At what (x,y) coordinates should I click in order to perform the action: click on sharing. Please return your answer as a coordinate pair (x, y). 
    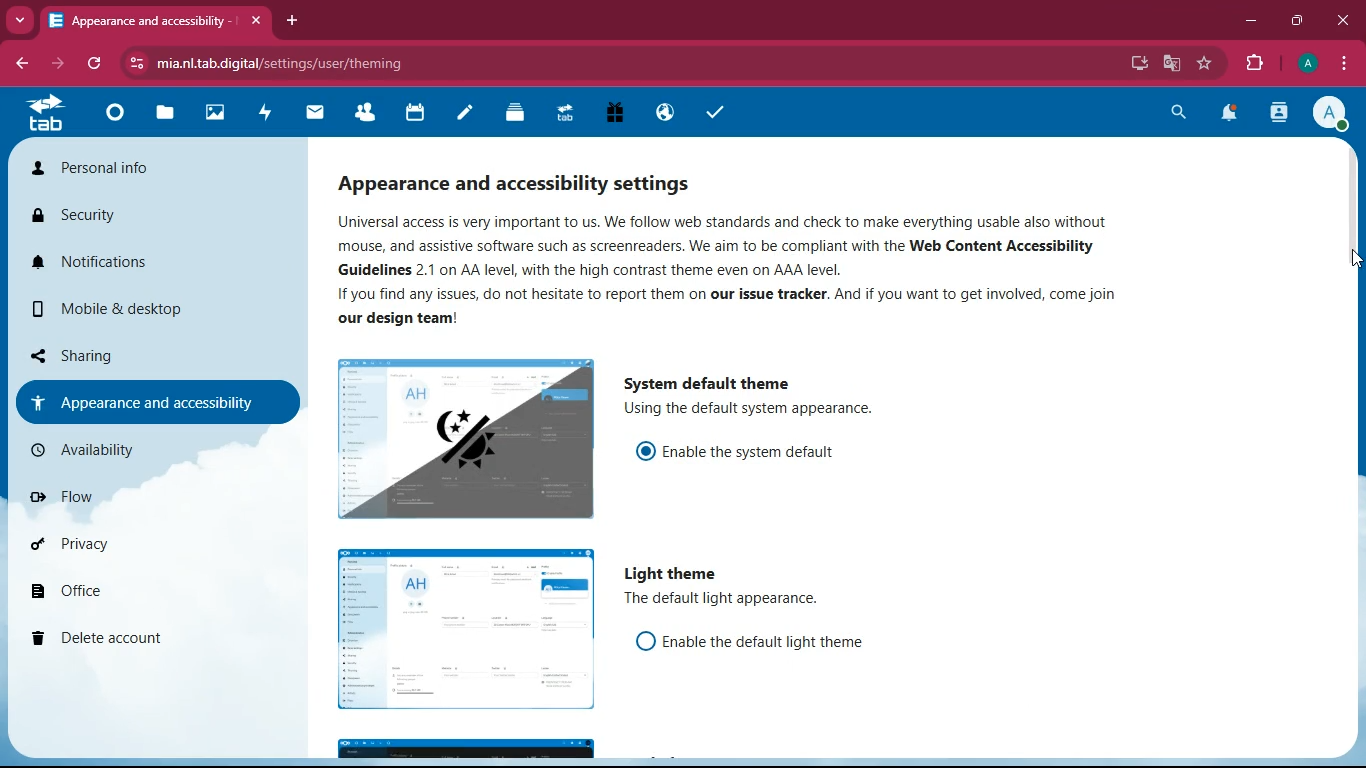
    Looking at the image, I should click on (149, 353).